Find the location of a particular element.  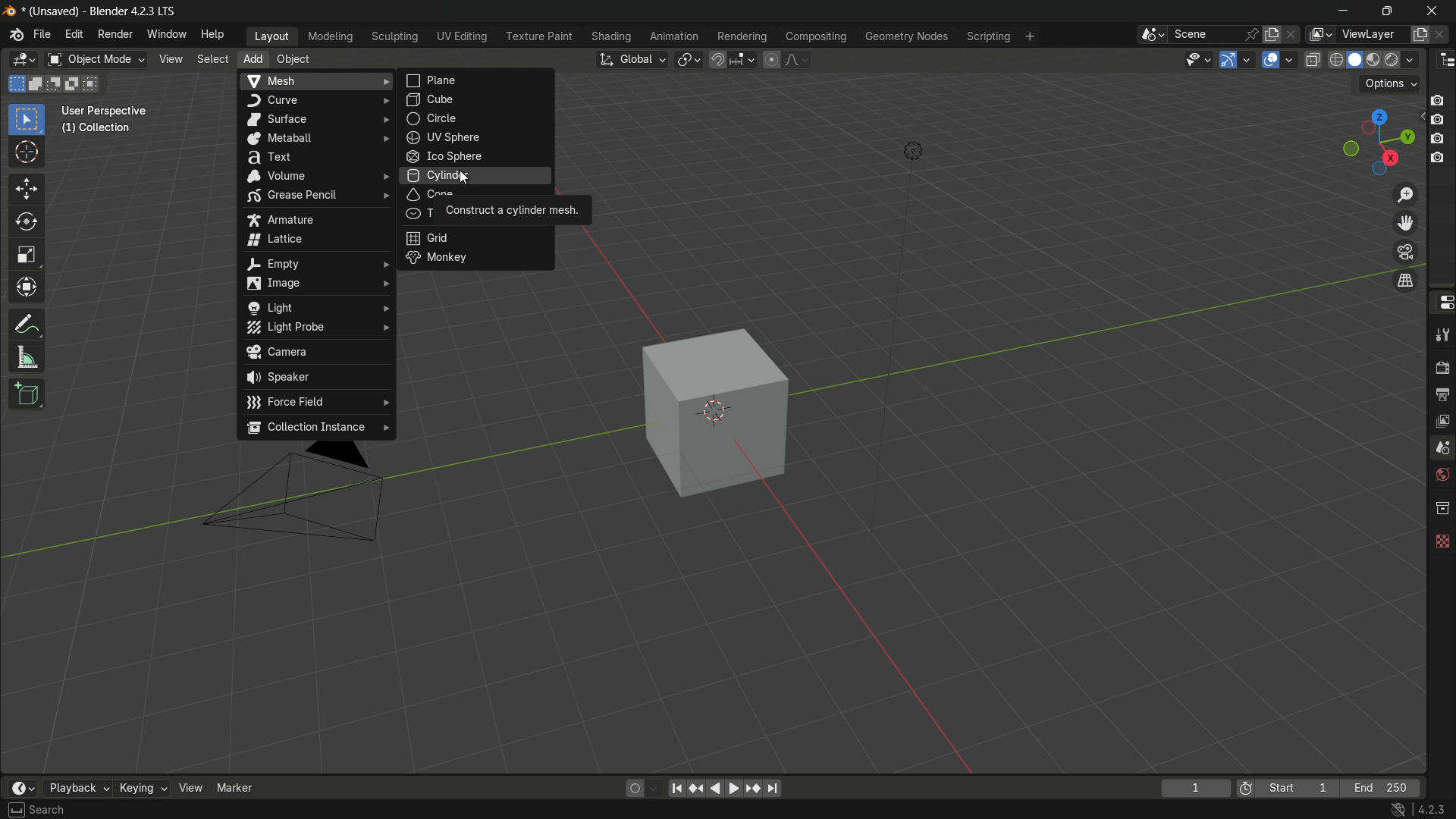

ico sphere is located at coordinates (475, 155).